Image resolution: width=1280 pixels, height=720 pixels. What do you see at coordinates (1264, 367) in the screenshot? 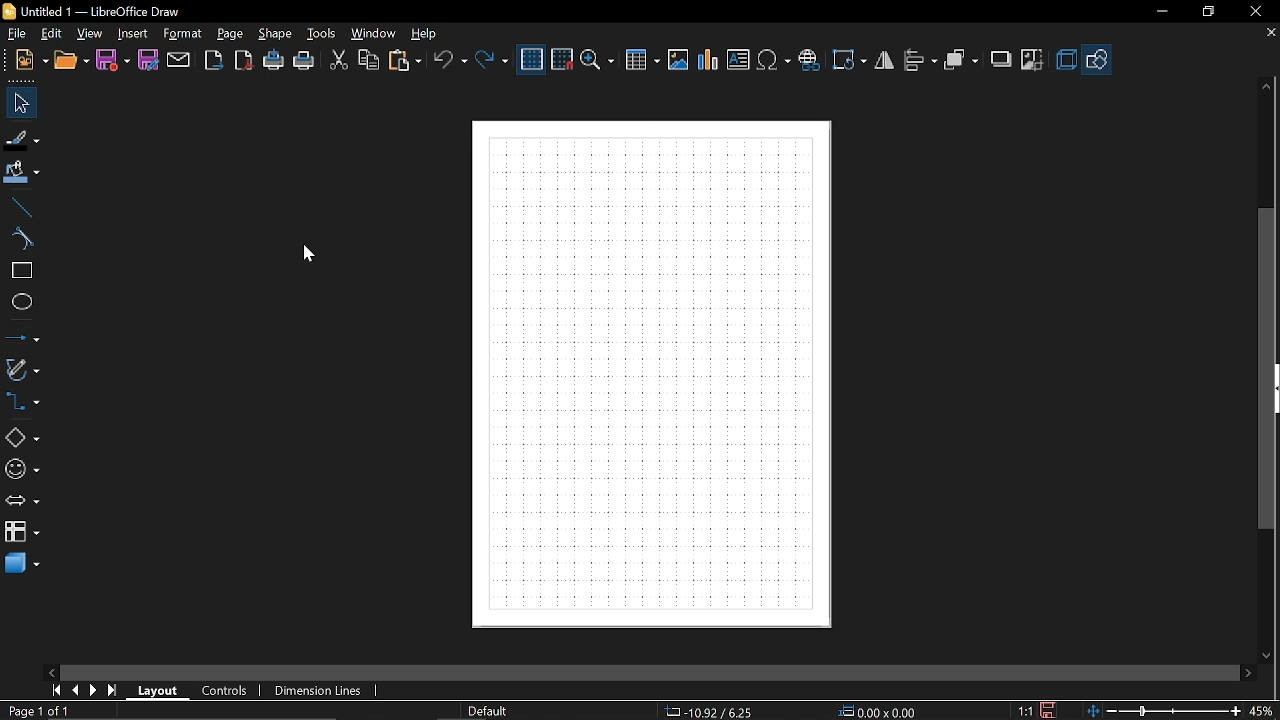
I see `Vertical scrollbar` at bounding box center [1264, 367].